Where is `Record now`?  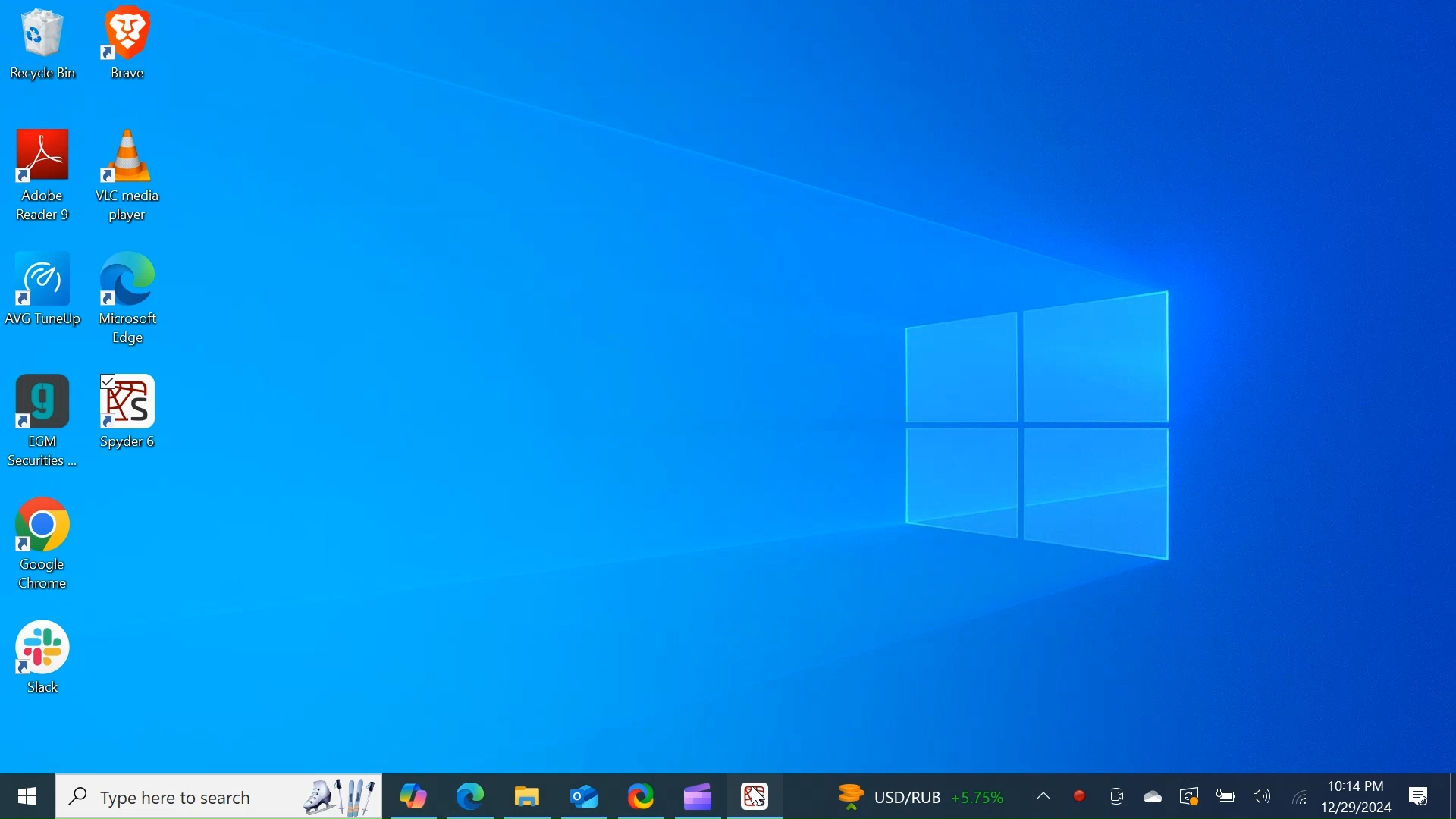 Record now is located at coordinates (1079, 795).